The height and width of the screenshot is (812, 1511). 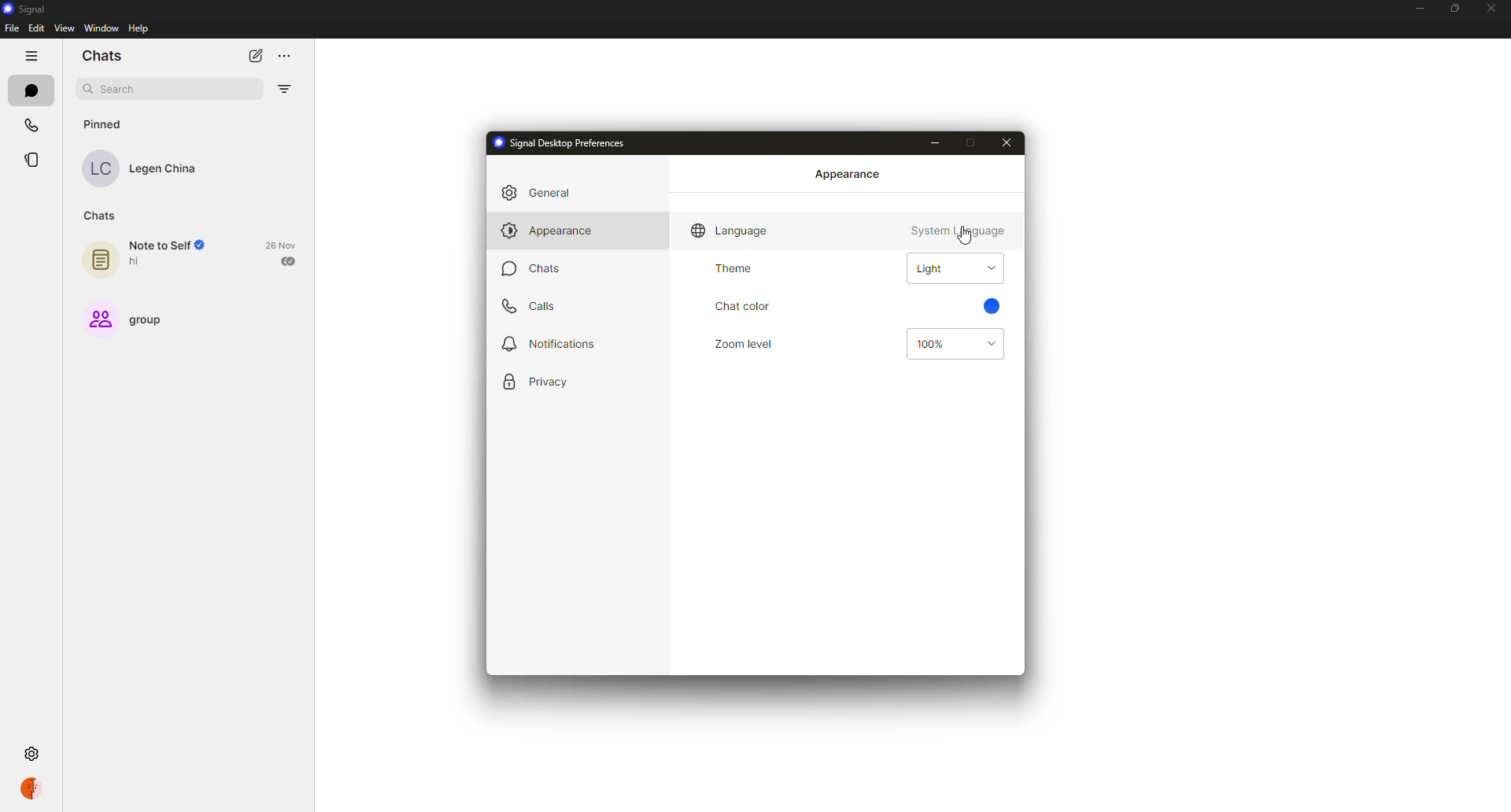 I want to click on edit, so click(x=36, y=28).